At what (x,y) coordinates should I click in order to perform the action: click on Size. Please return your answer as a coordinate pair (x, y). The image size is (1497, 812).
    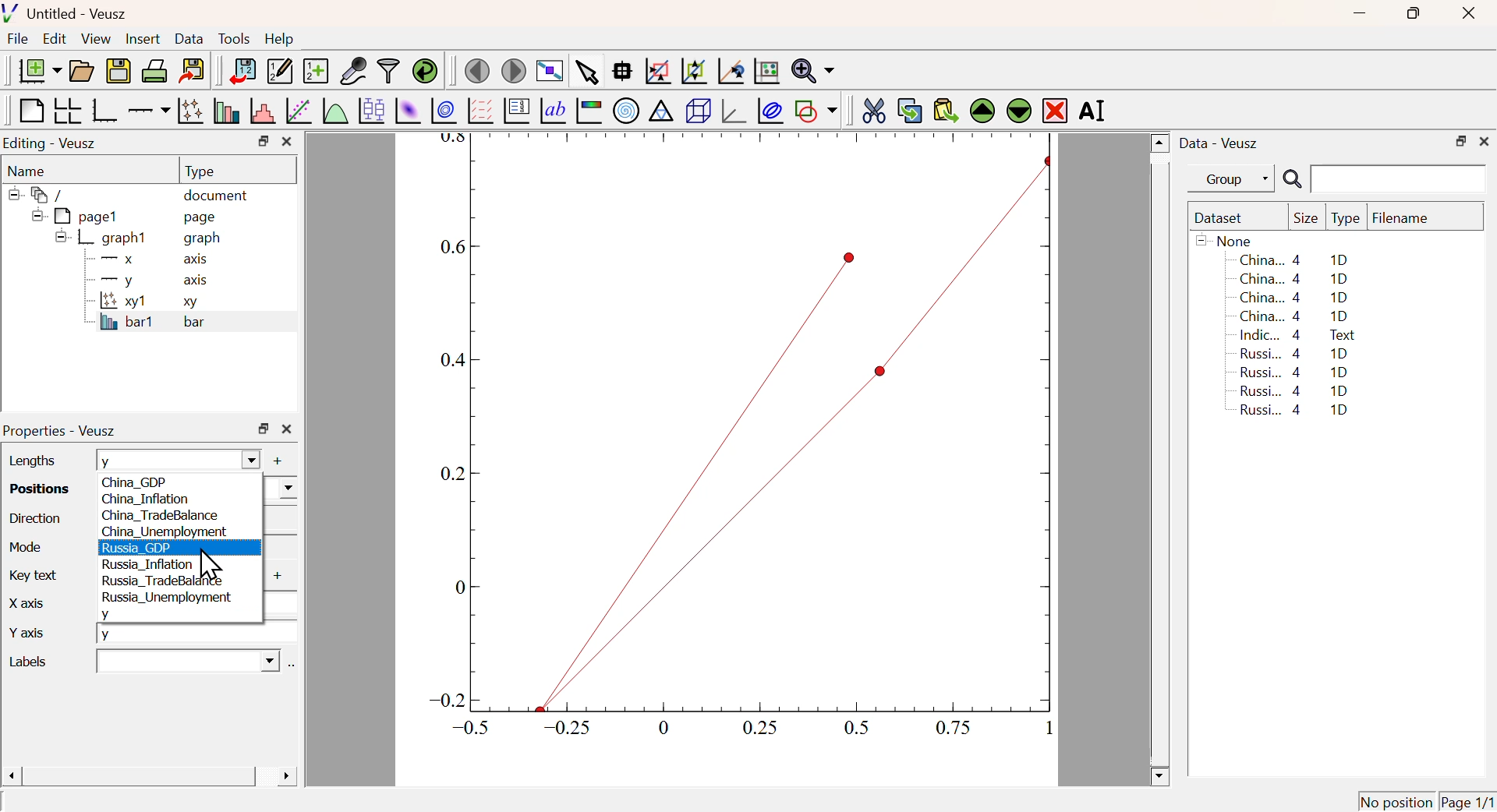
    Looking at the image, I should click on (1306, 219).